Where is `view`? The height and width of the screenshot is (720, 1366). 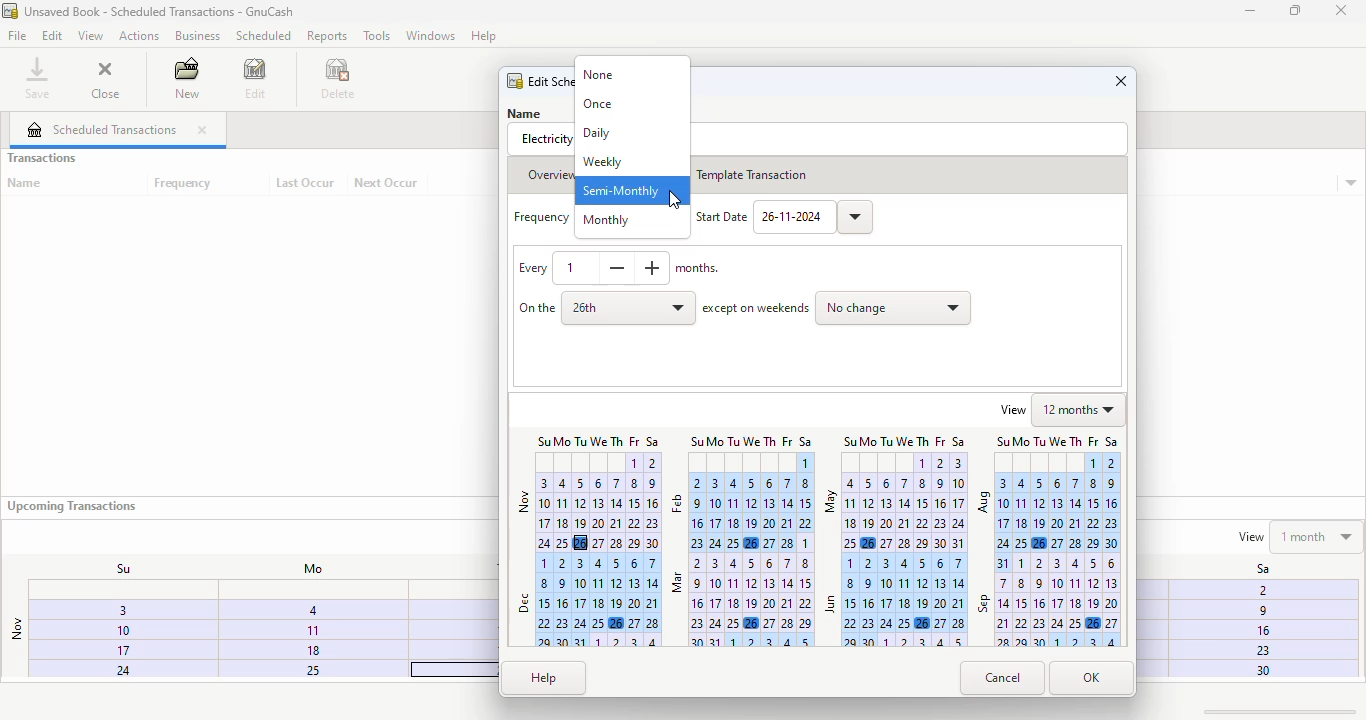 view is located at coordinates (1013, 409).